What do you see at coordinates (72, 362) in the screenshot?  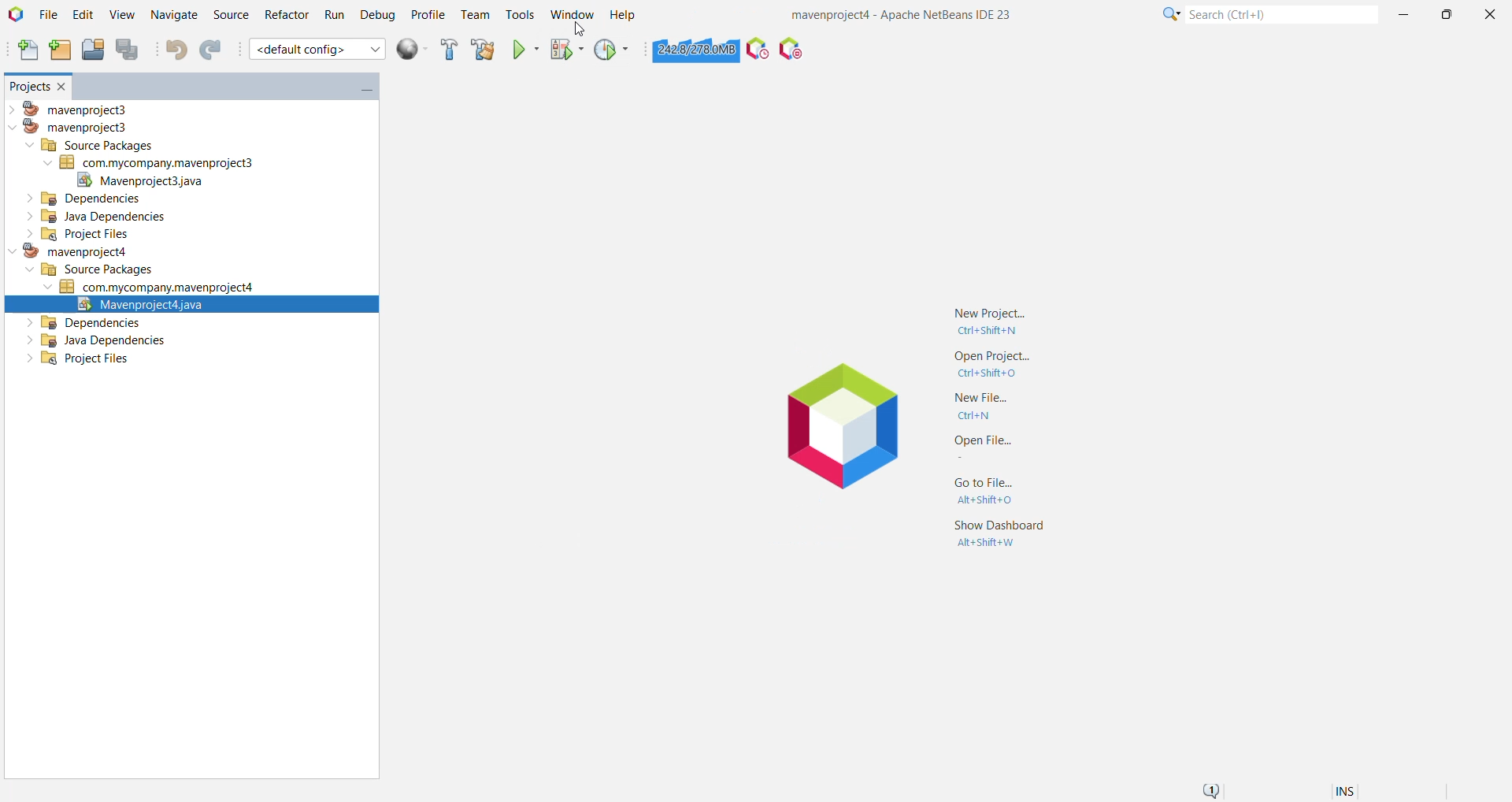 I see `Project Files` at bounding box center [72, 362].